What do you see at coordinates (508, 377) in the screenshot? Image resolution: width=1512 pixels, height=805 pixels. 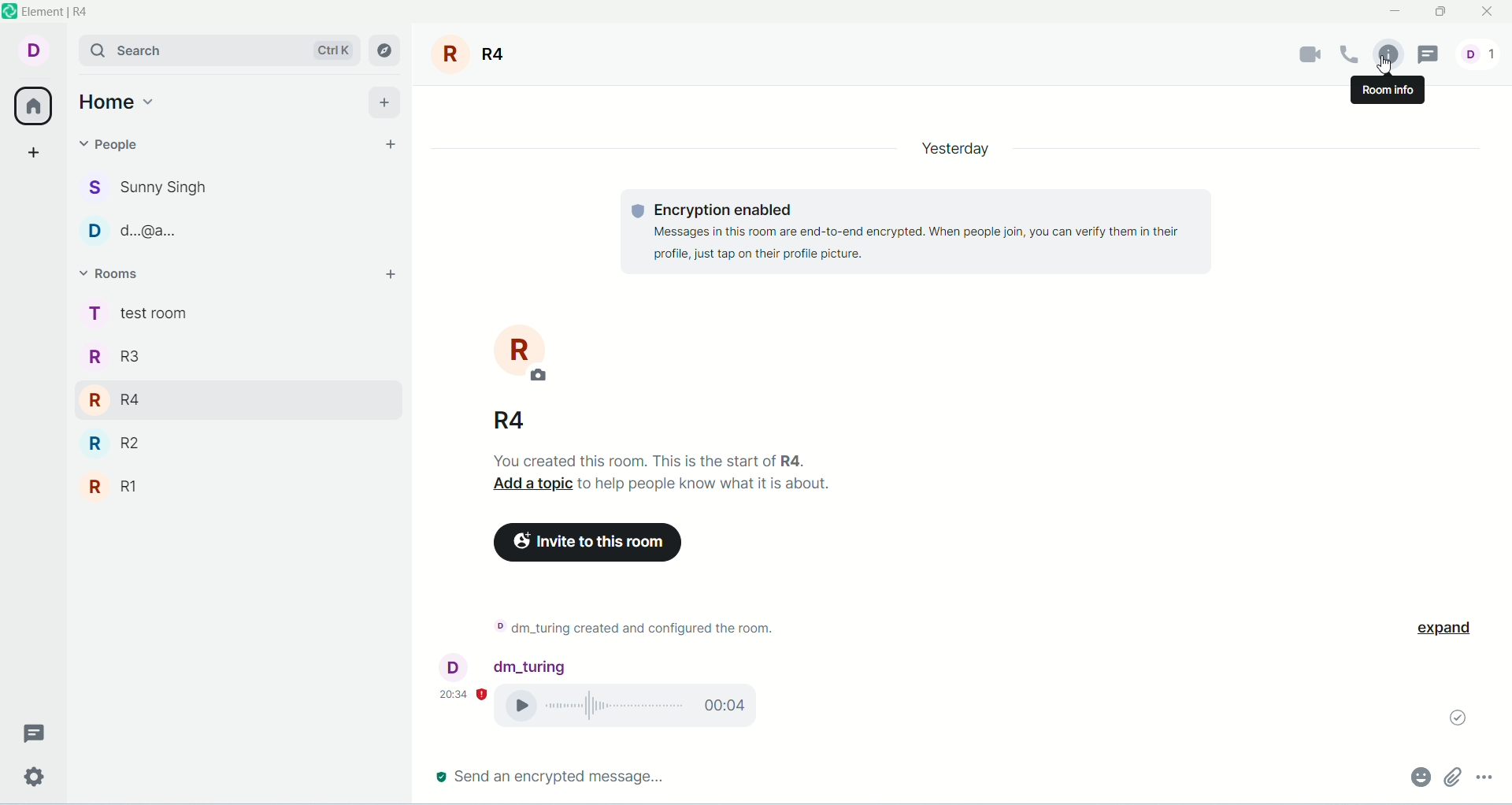 I see `room` at bounding box center [508, 377].